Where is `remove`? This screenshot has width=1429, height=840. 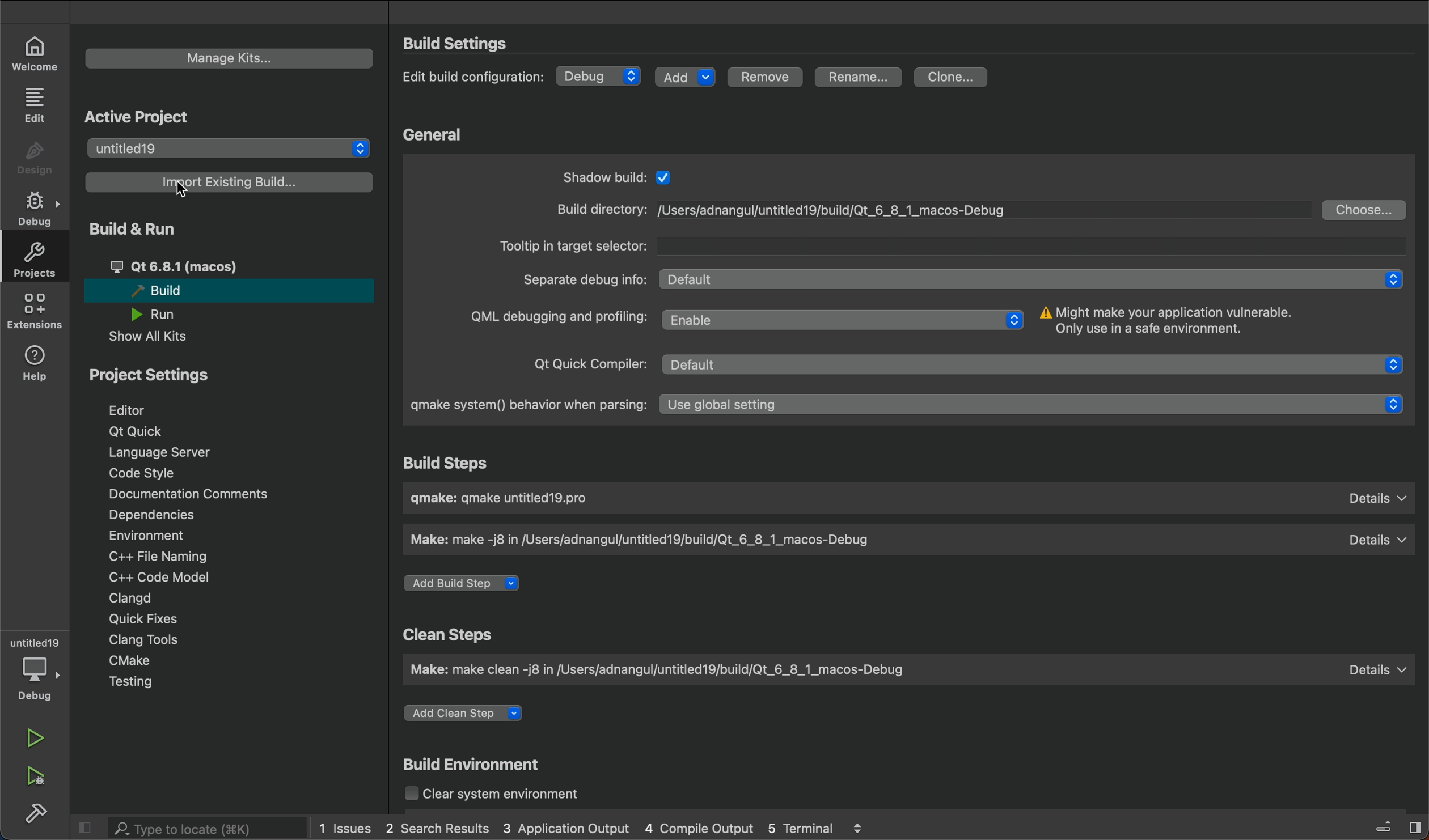 remove is located at coordinates (764, 79).